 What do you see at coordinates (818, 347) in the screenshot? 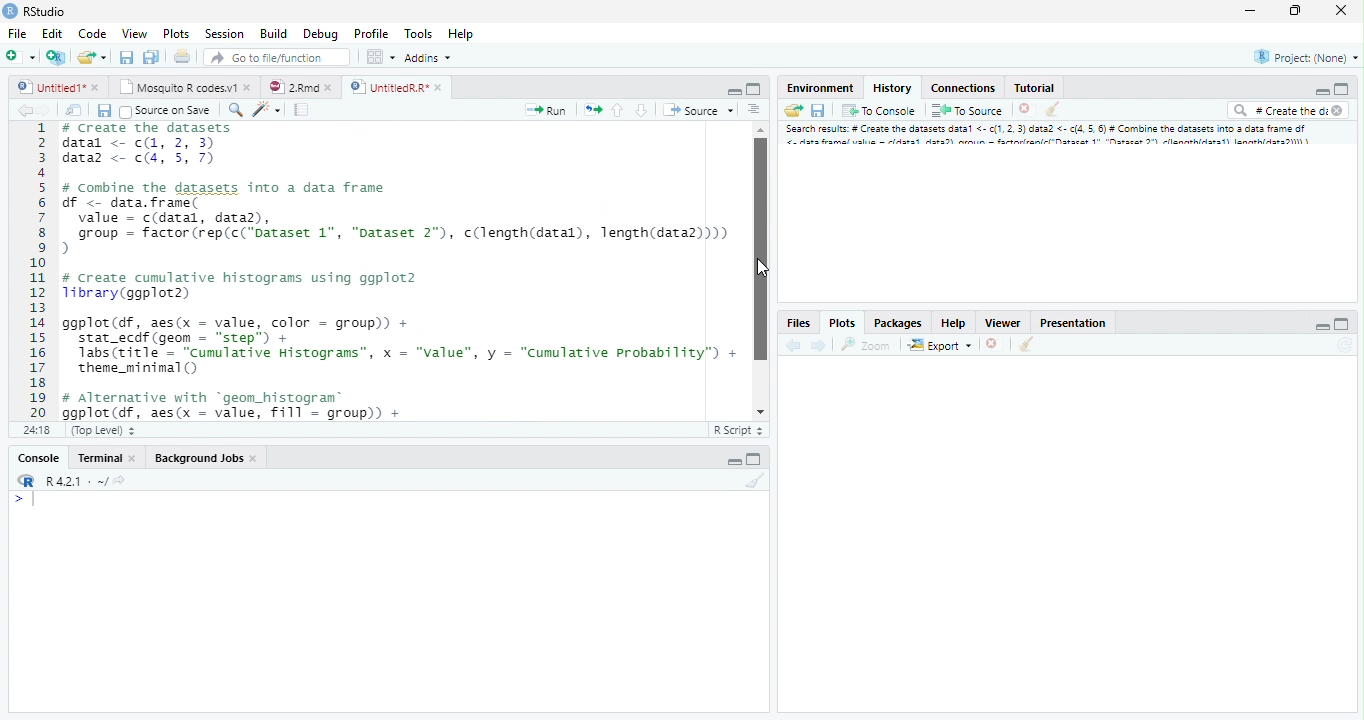
I see `Next` at bounding box center [818, 347].